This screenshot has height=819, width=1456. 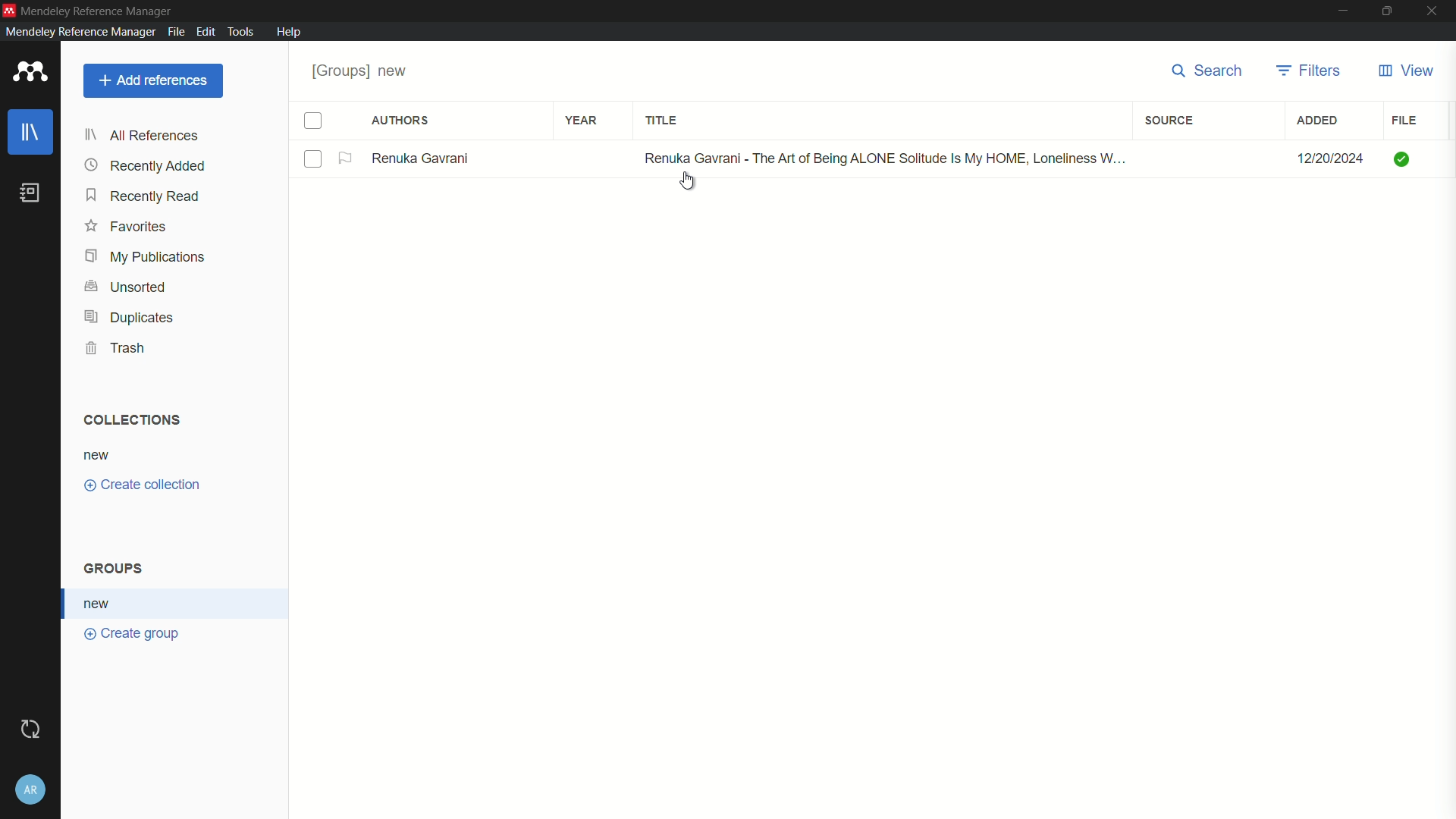 What do you see at coordinates (9, 9) in the screenshot?
I see `app icon` at bounding box center [9, 9].